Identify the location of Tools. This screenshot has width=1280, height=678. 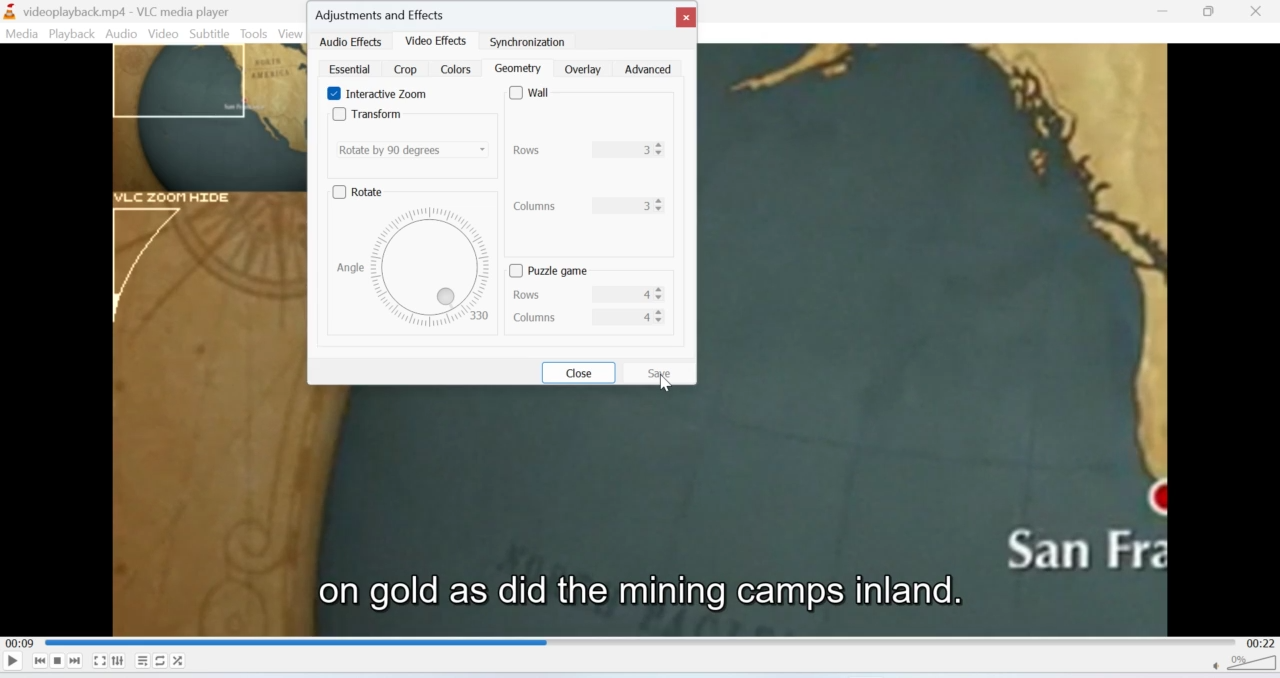
(254, 34).